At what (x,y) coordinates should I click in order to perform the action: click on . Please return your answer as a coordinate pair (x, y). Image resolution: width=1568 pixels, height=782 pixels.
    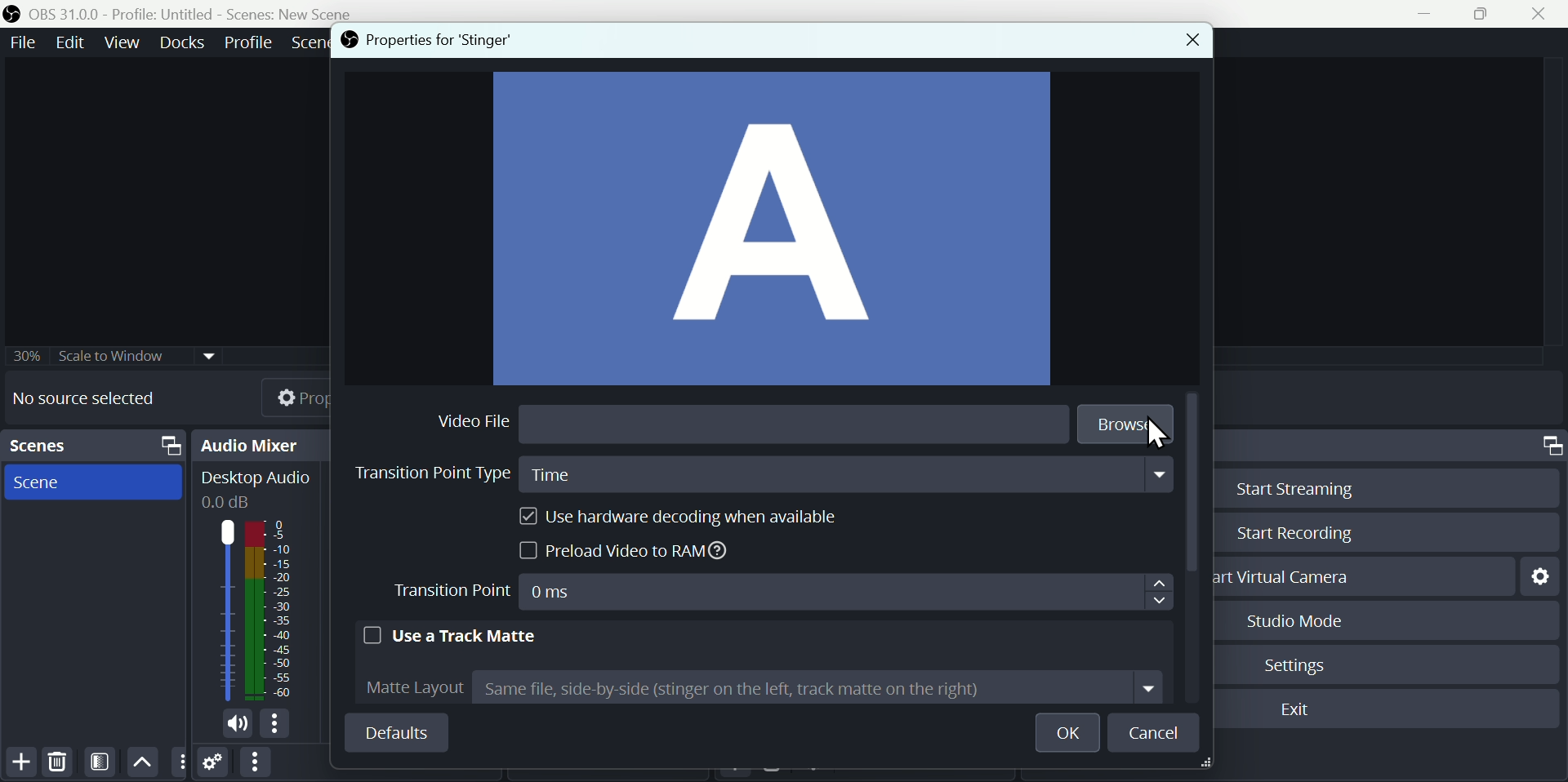
    Looking at the image, I should click on (185, 42).